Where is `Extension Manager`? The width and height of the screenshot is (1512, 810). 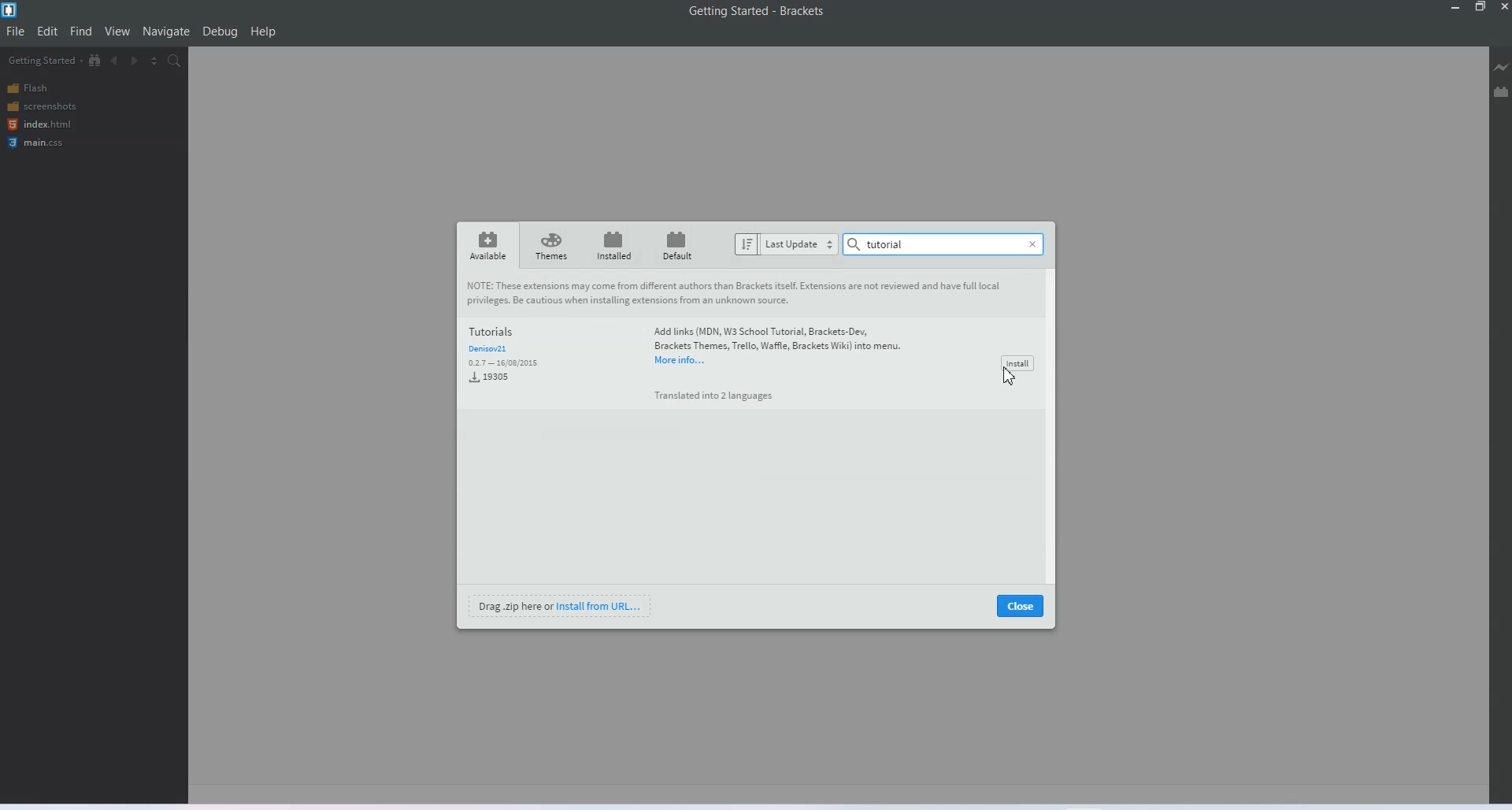 Extension Manager is located at coordinates (1502, 91).